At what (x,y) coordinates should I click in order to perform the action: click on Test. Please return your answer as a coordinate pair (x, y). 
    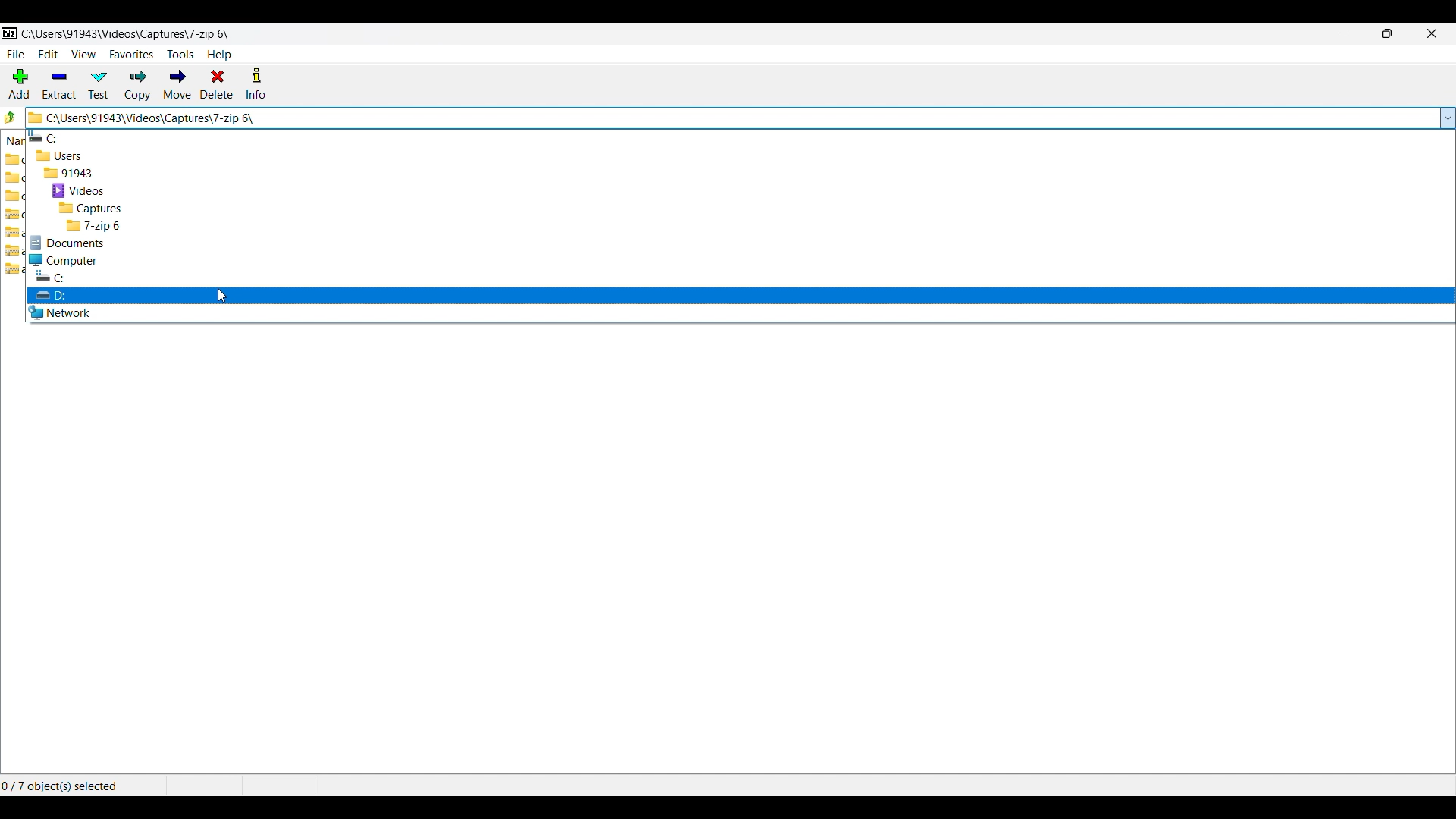
    Looking at the image, I should click on (99, 85).